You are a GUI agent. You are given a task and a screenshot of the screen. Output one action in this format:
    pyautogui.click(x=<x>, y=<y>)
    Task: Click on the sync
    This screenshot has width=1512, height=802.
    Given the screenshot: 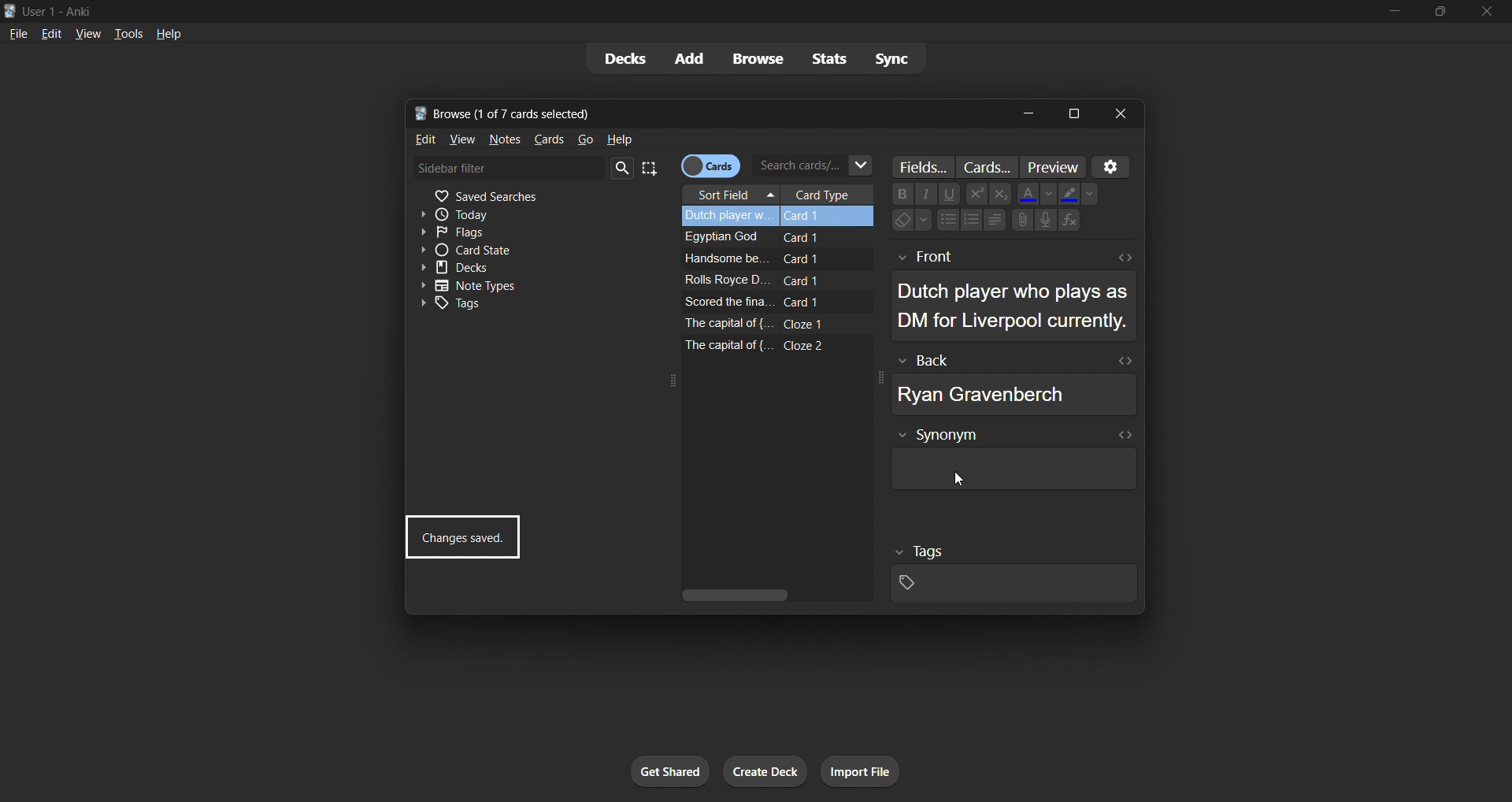 What is the action you would take?
    pyautogui.click(x=896, y=58)
    